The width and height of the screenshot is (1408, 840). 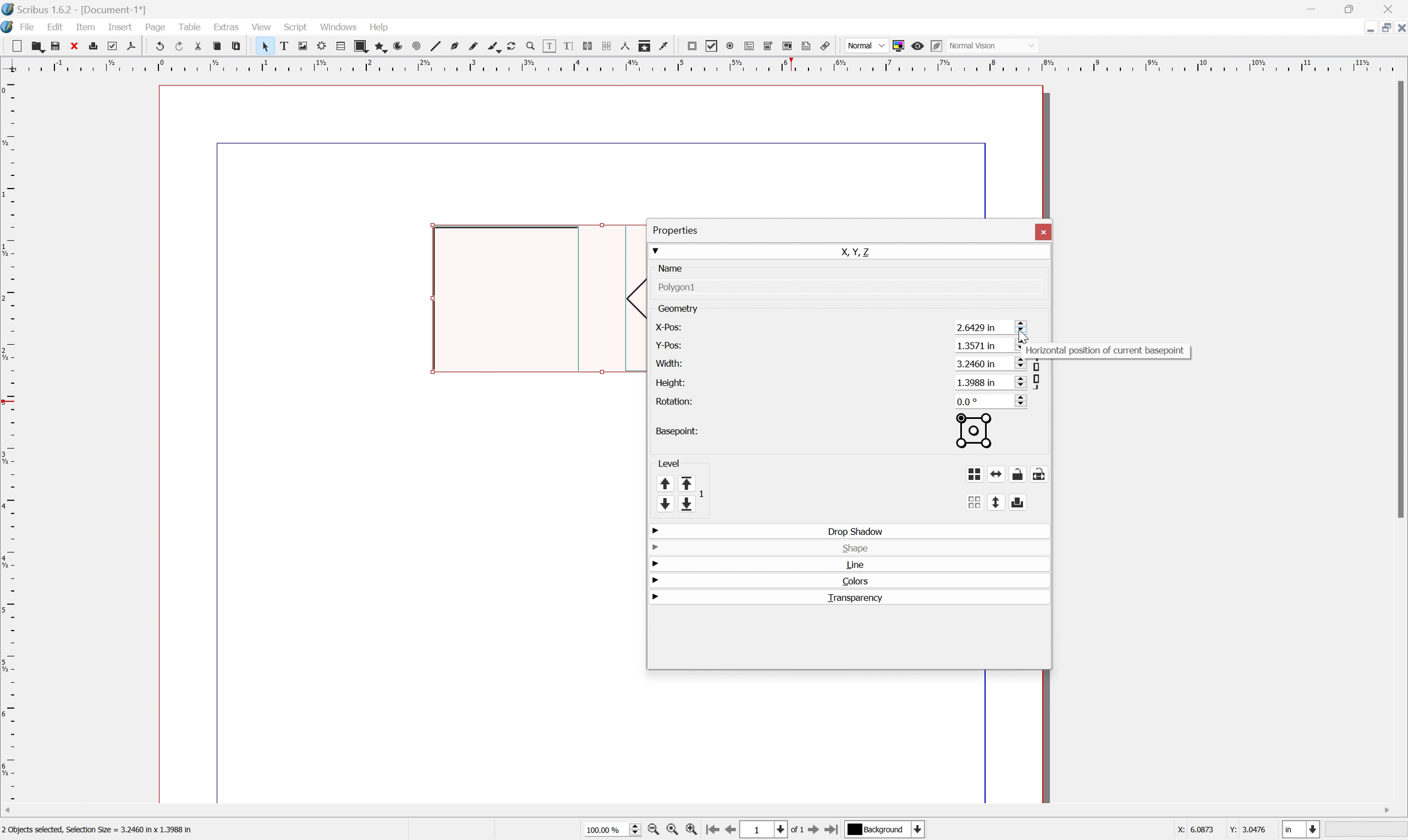 What do you see at coordinates (71, 47) in the screenshot?
I see `close` at bounding box center [71, 47].